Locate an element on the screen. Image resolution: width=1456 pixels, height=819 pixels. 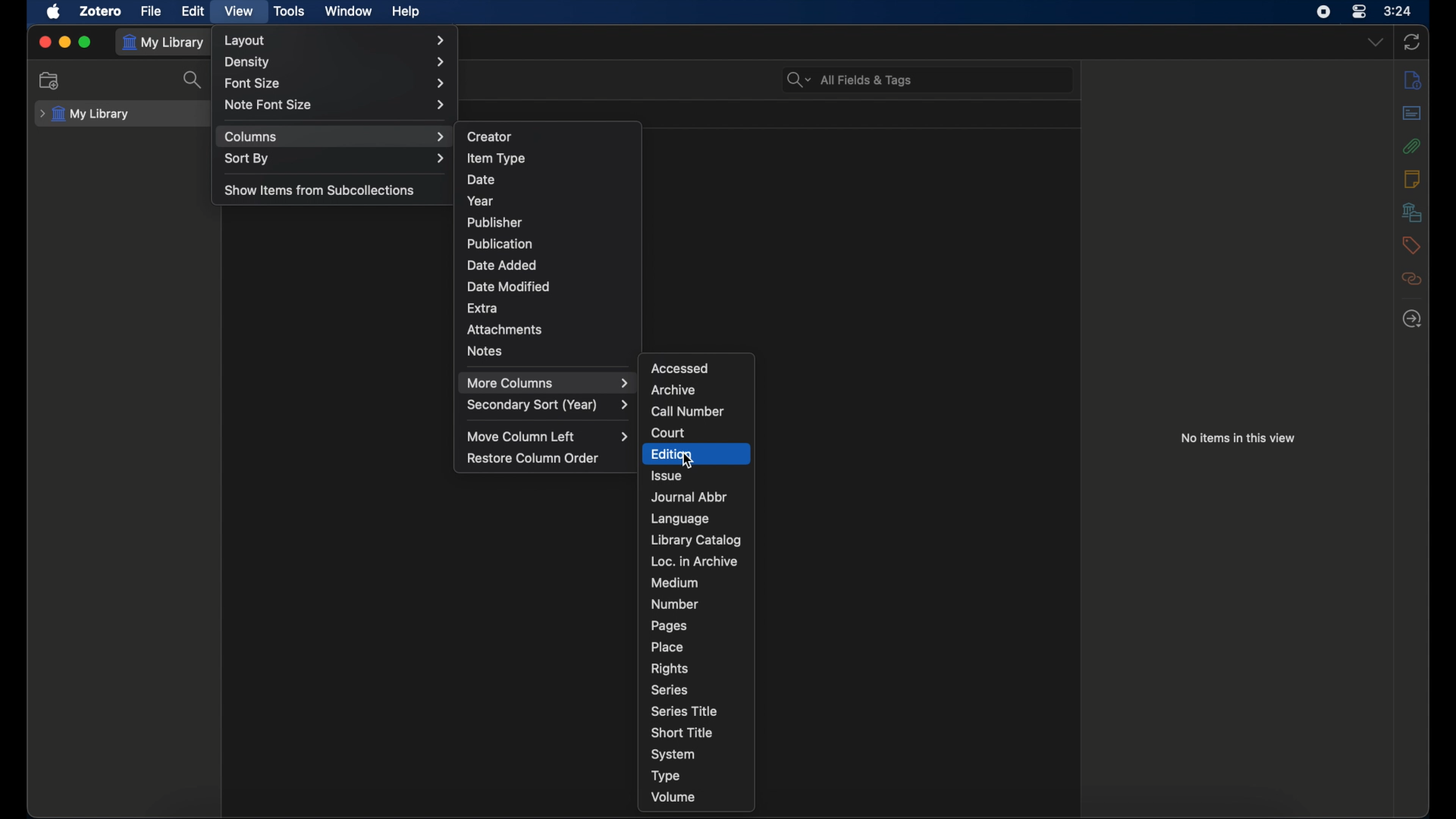
place is located at coordinates (667, 647).